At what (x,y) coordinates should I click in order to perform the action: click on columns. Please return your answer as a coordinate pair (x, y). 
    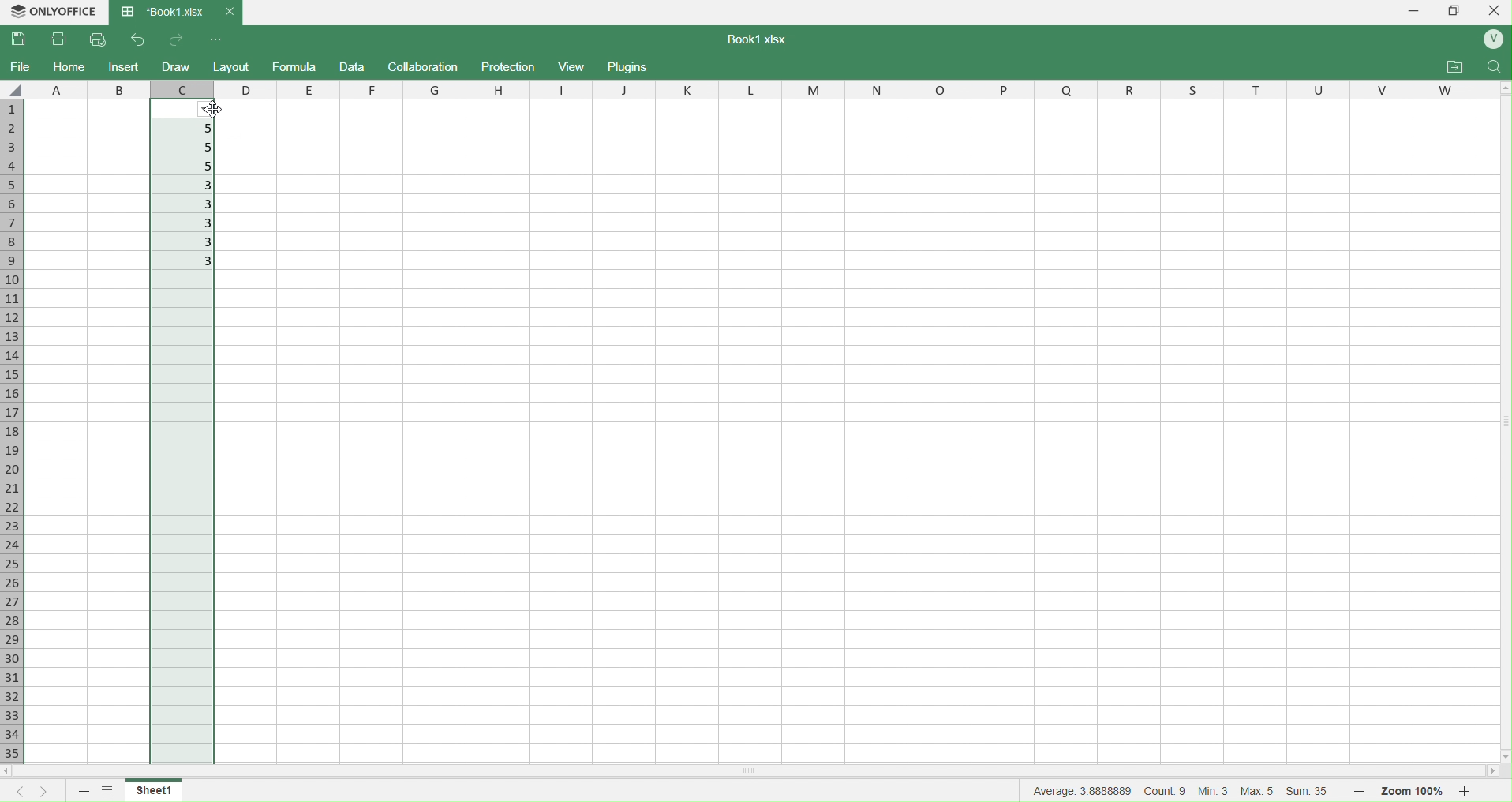
    Looking at the image, I should click on (88, 88).